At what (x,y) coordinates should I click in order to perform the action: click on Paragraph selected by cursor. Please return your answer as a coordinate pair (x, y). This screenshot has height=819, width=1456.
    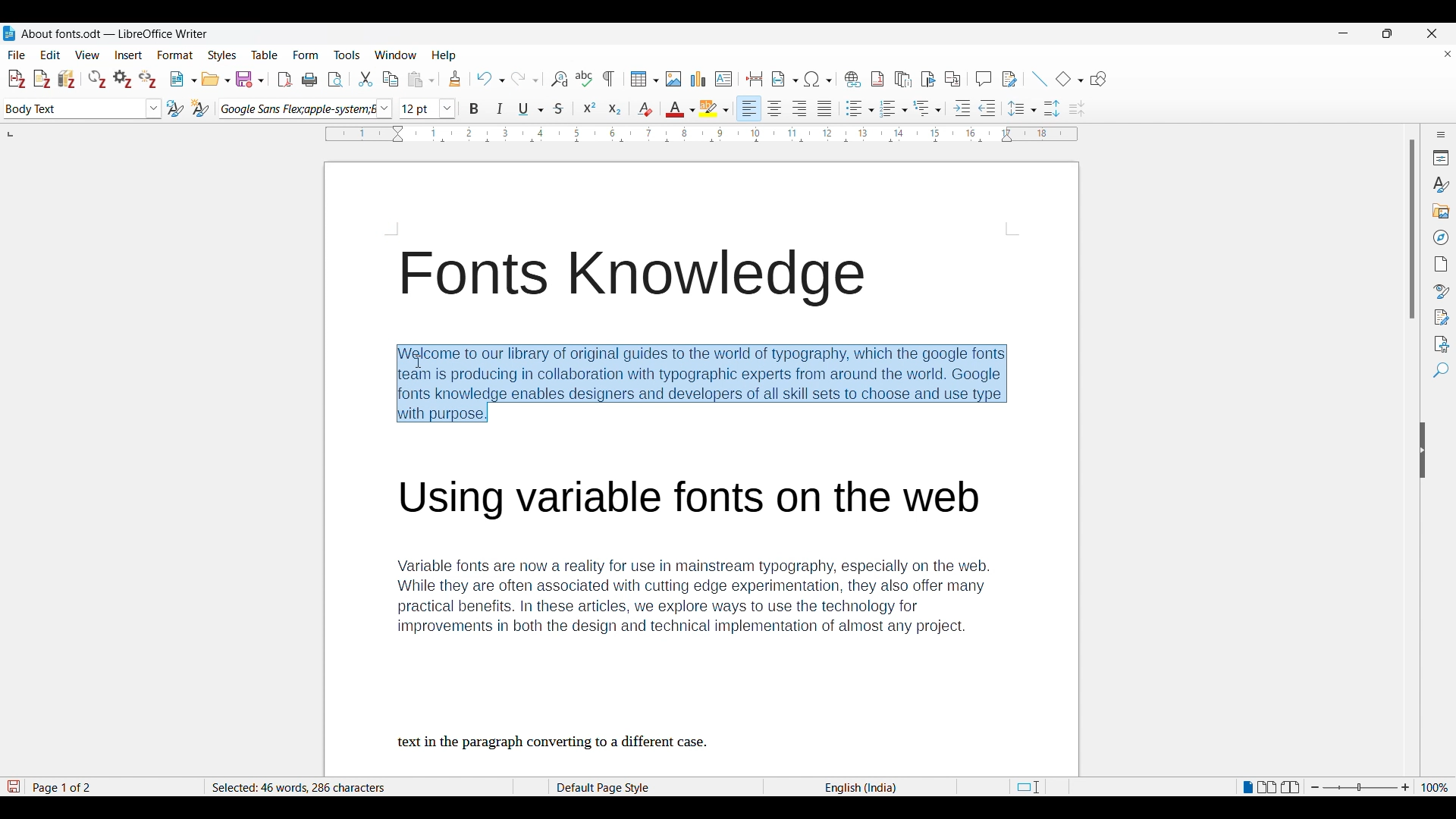
    Looking at the image, I should click on (701, 383).